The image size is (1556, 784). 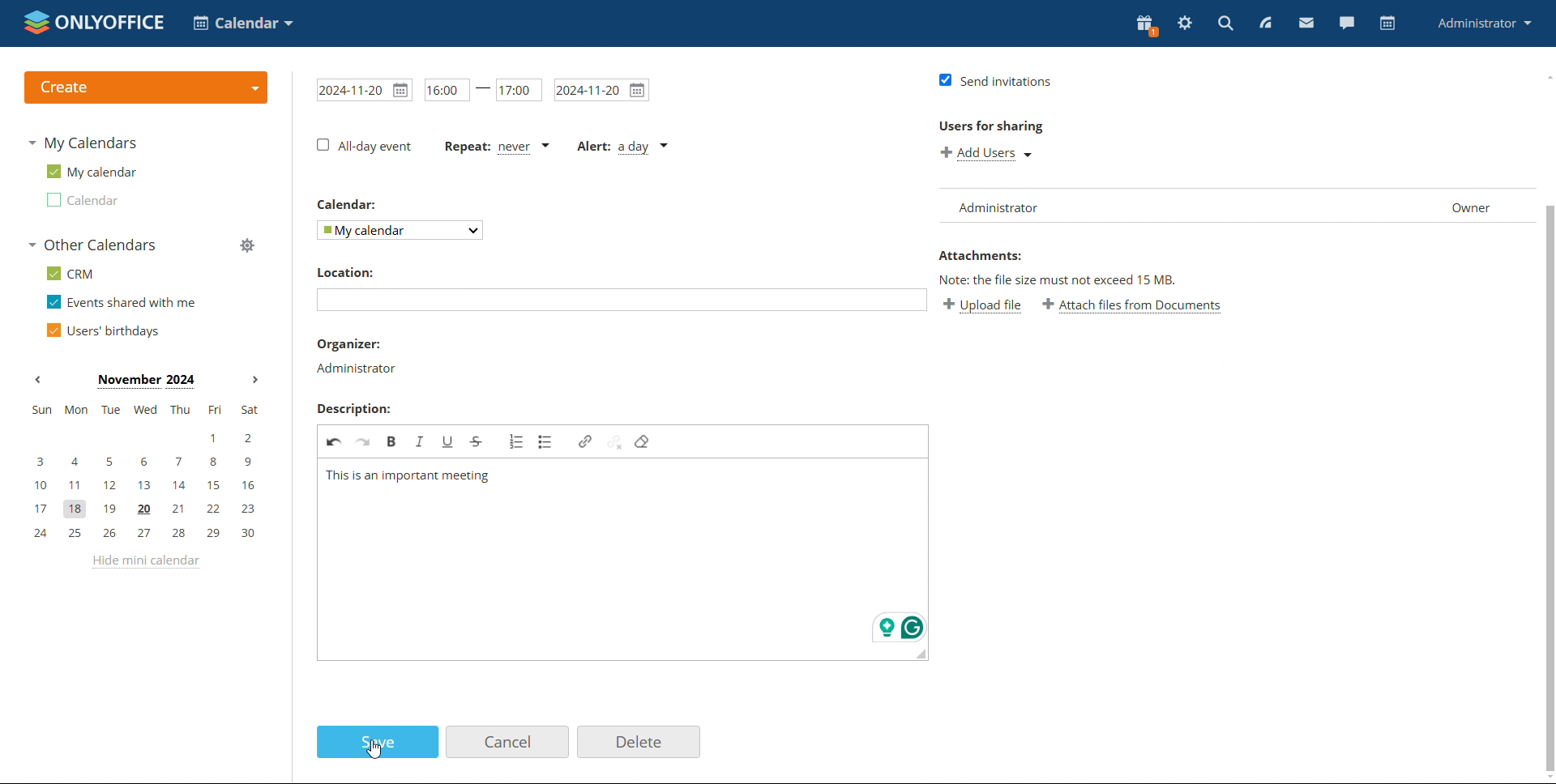 What do you see at coordinates (92, 245) in the screenshot?
I see `other calendars` at bounding box center [92, 245].